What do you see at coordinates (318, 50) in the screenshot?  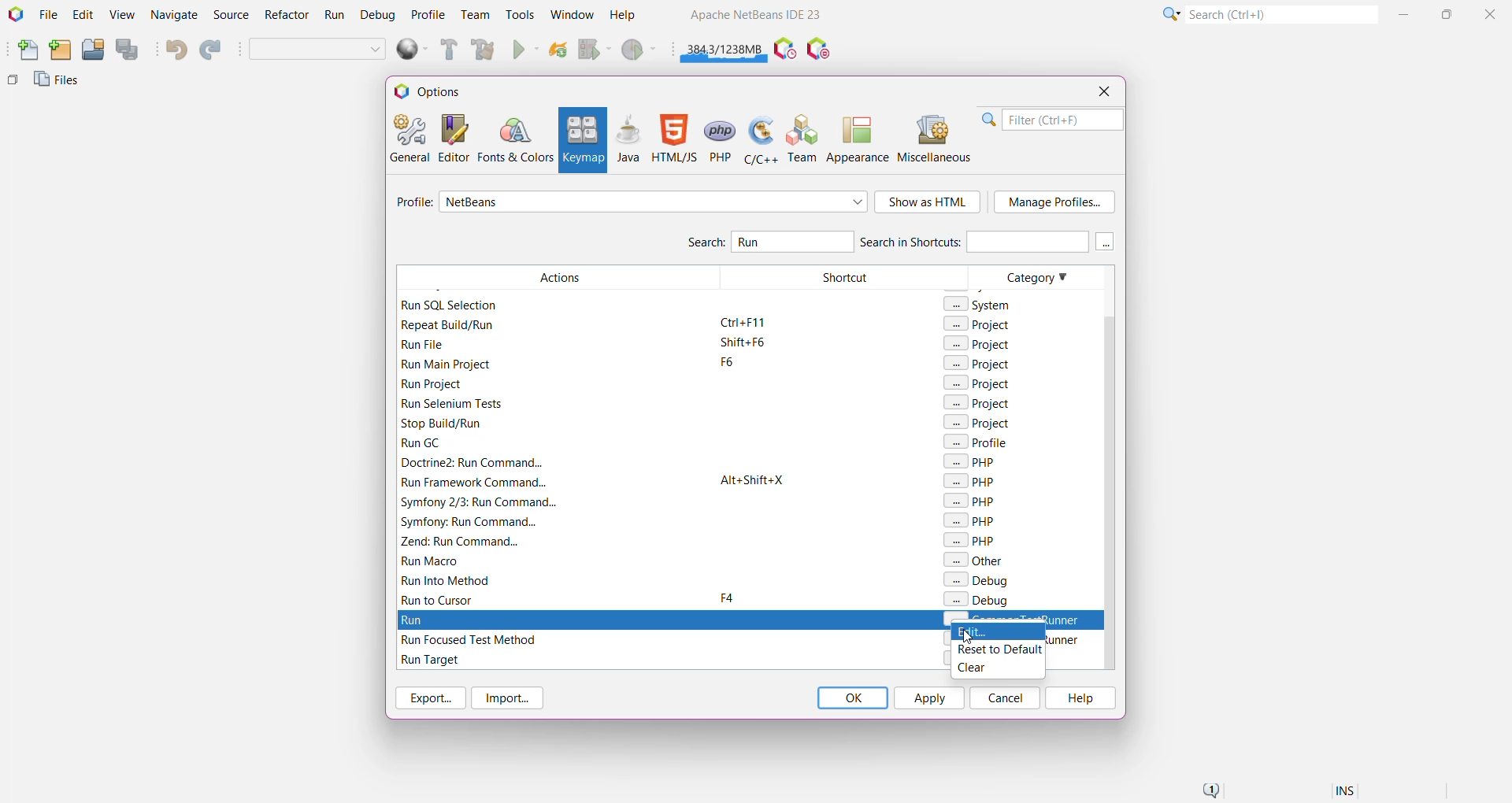 I see `Set Project Configuration` at bounding box center [318, 50].